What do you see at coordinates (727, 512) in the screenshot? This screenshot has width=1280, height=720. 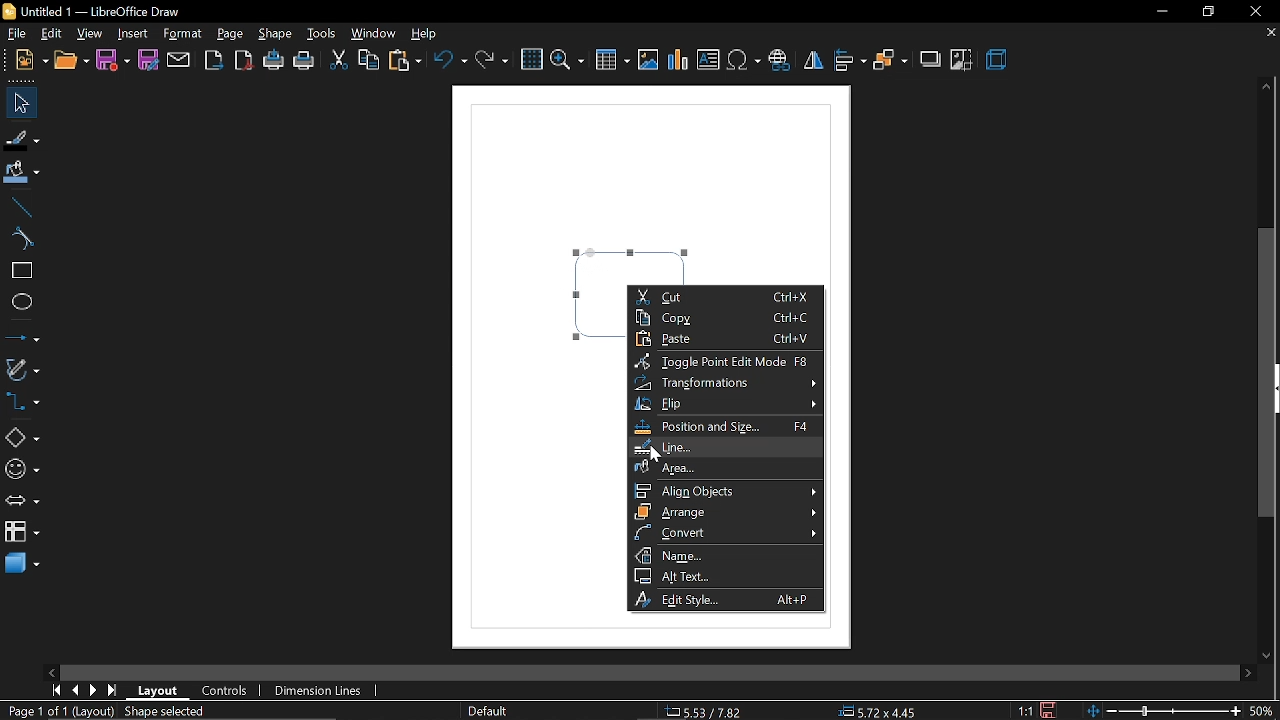 I see `arrange` at bounding box center [727, 512].